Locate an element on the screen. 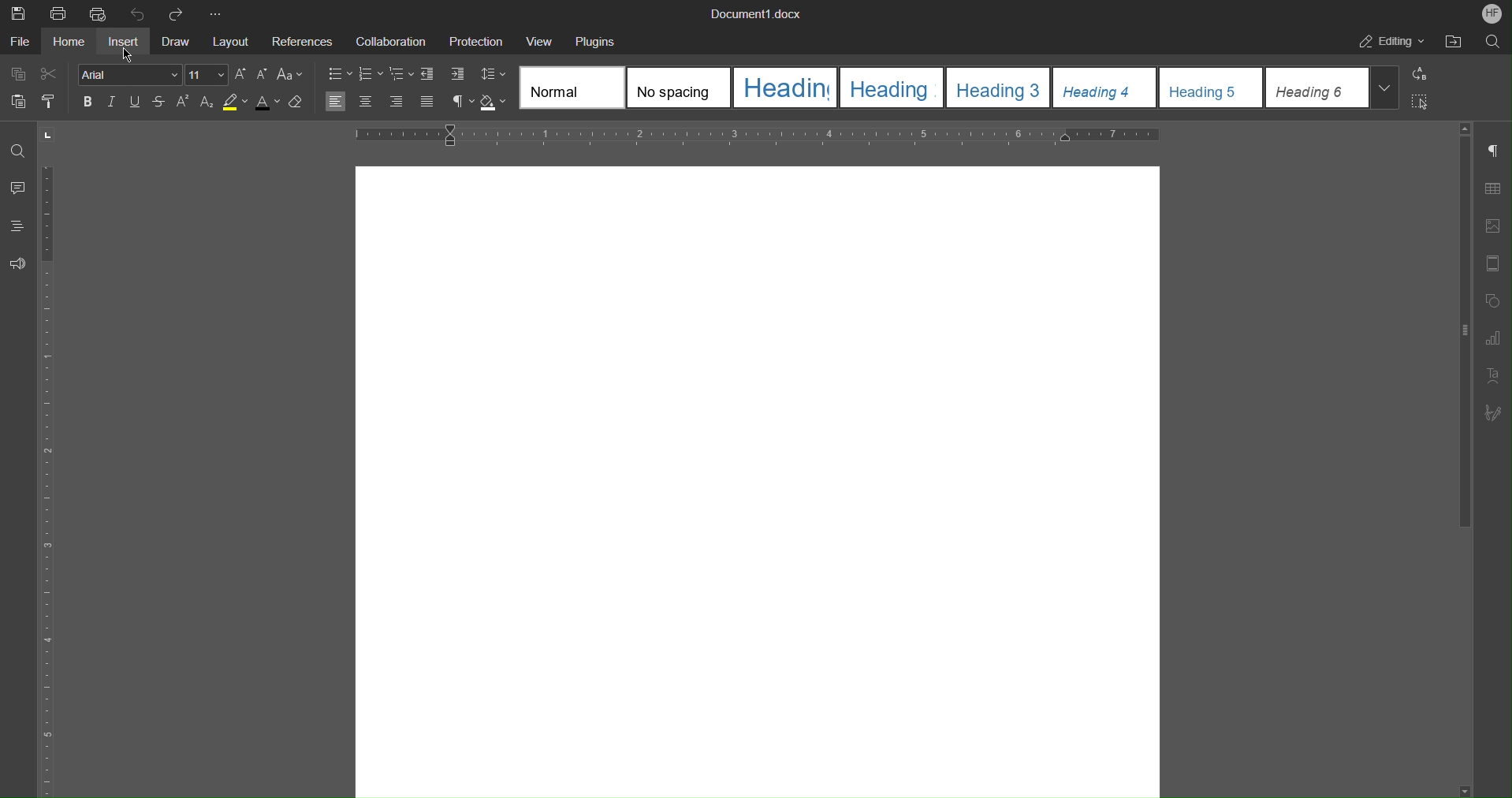  Insert Image is located at coordinates (1497, 226).